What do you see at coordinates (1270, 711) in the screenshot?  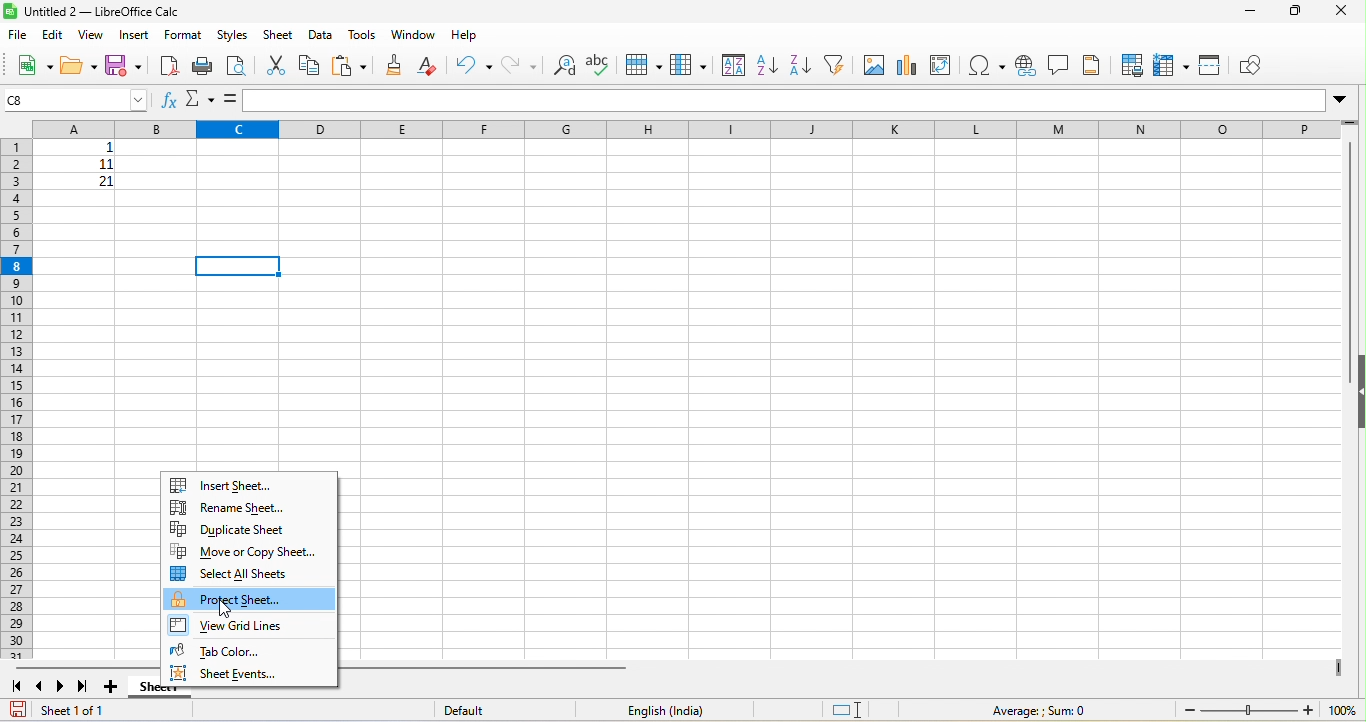 I see `zoom` at bounding box center [1270, 711].